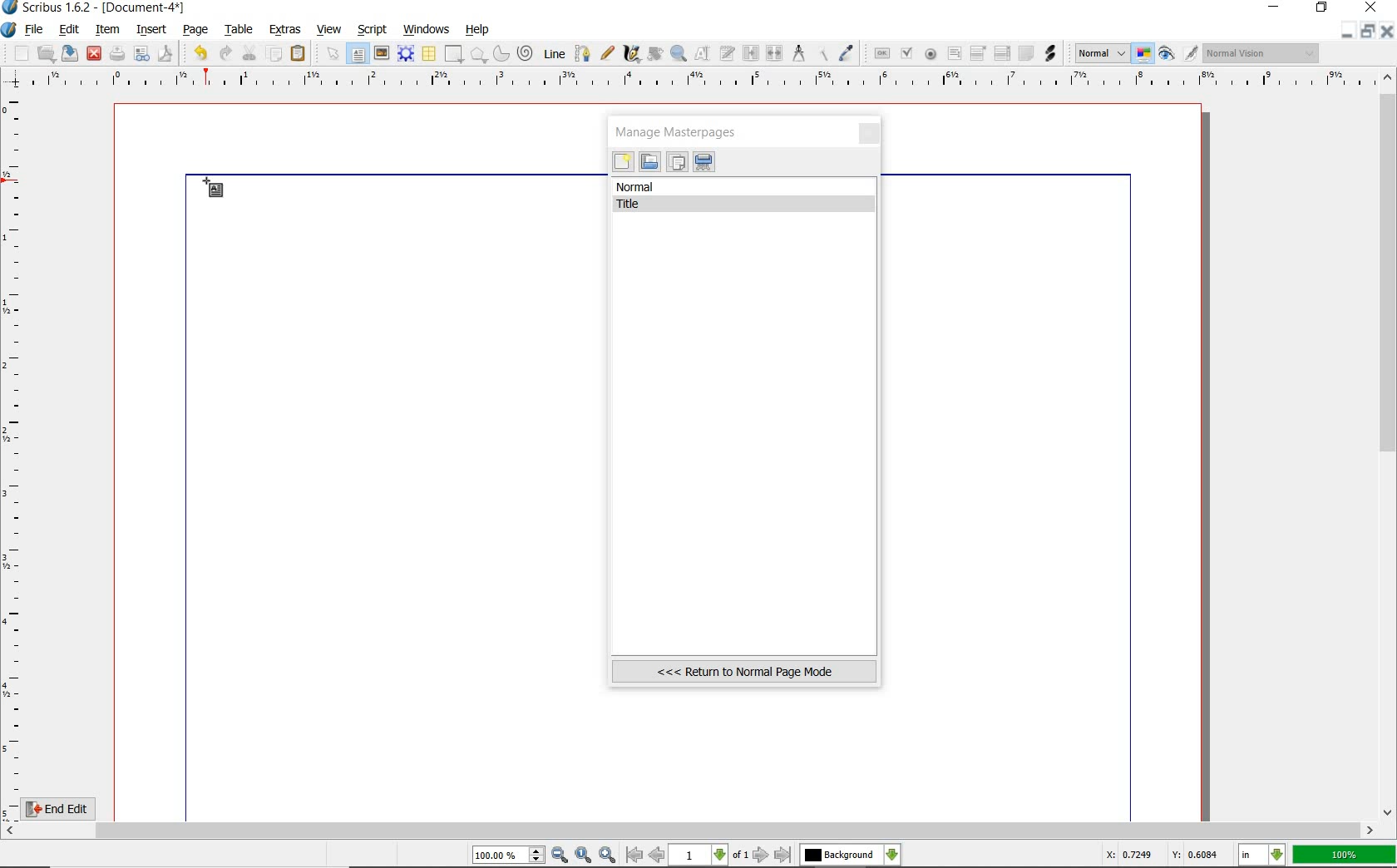  Describe the element at coordinates (649, 162) in the screenshot. I see `import masterpages` at that location.